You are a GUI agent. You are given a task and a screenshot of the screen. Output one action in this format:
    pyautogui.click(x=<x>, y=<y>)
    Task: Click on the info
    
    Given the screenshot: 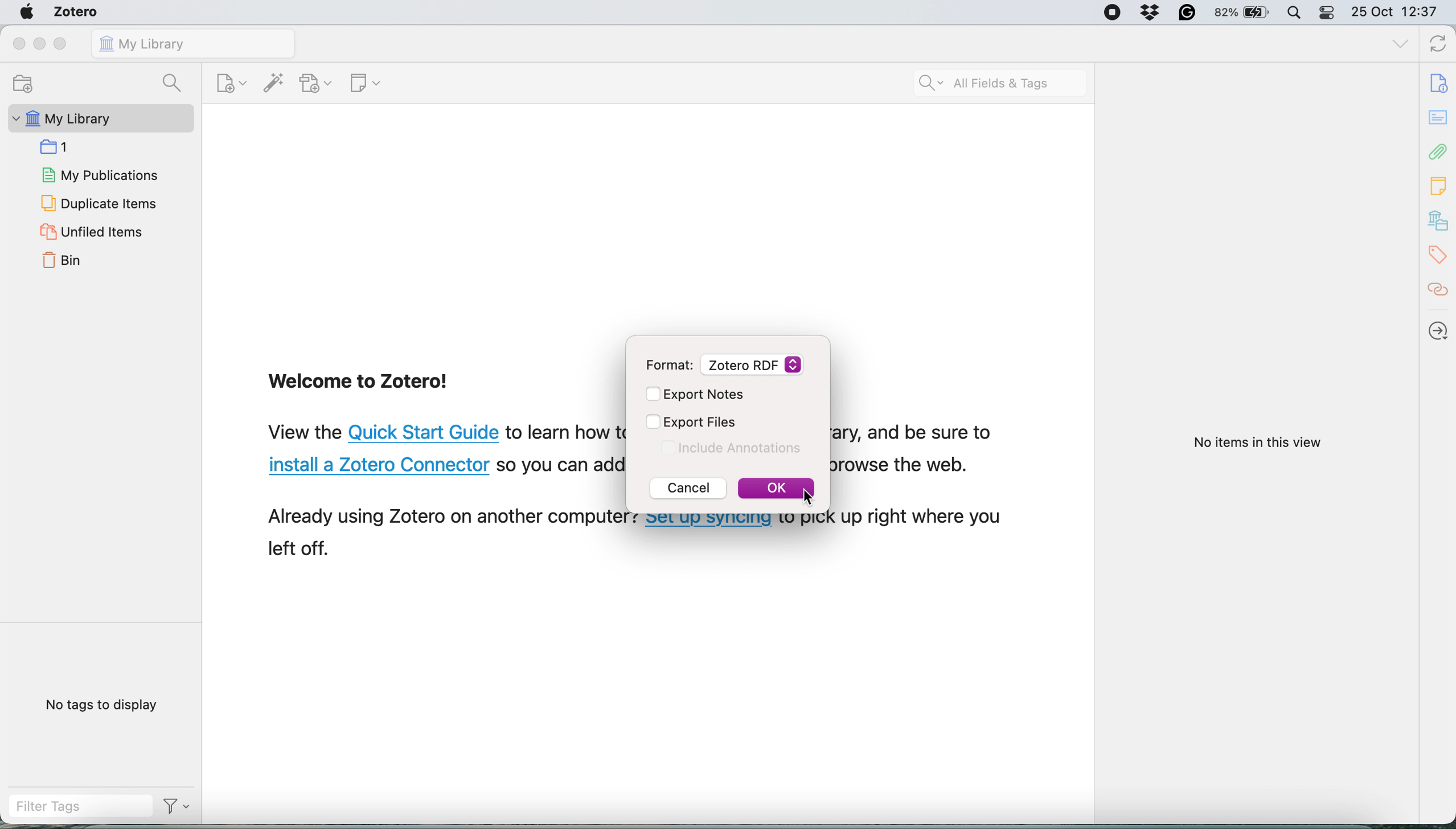 What is the action you would take?
    pyautogui.click(x=1441, y=84)
    